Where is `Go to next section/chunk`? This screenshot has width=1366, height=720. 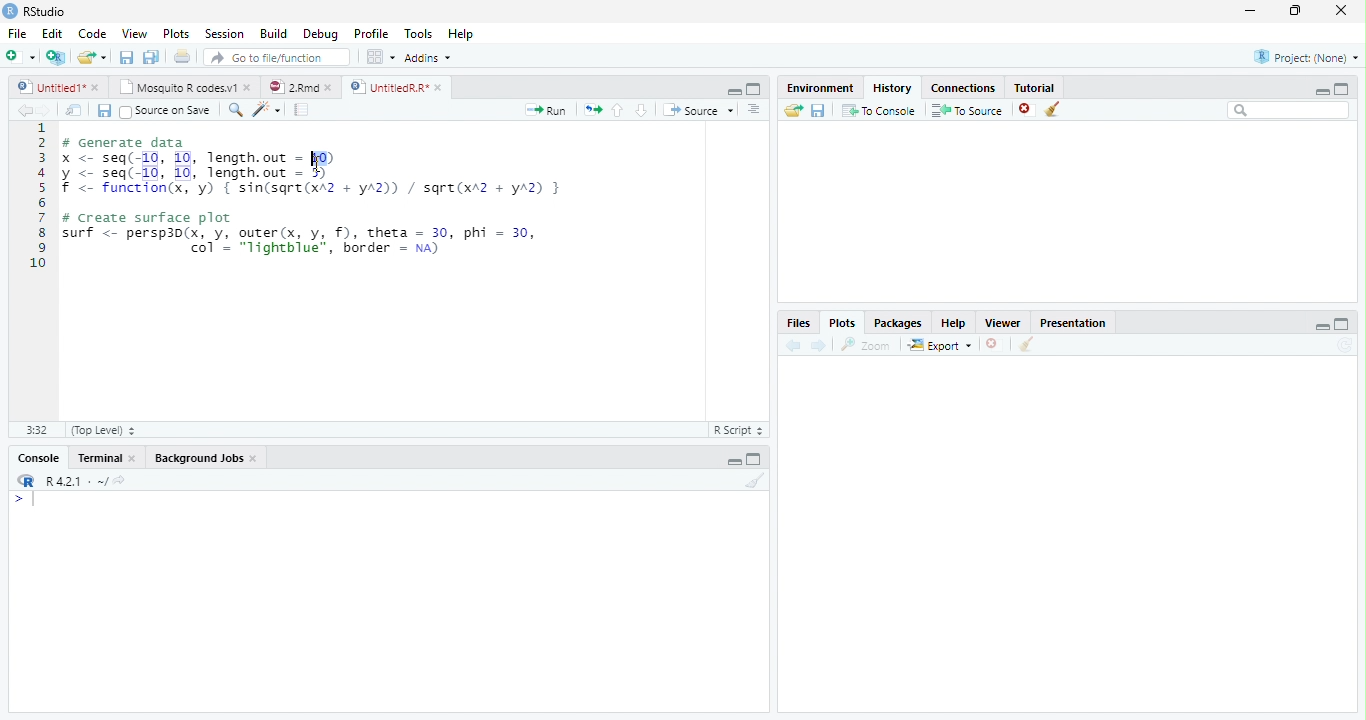
Go to next section/chunk is located at coordinates (641, 109).